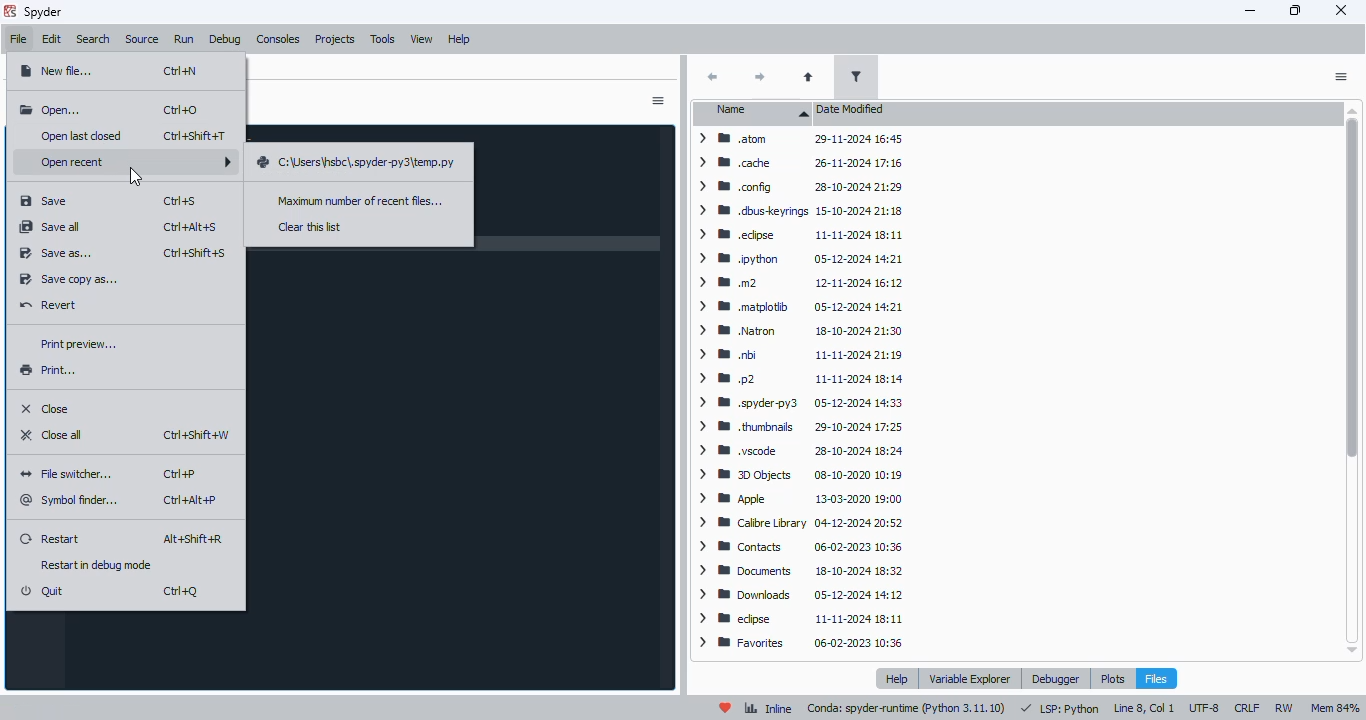 The height and width of the screenshot is (720, 1366). What do you see at coordinates (458, 39) in the screenshot?
I see `help` at bounding box center [458, 39].